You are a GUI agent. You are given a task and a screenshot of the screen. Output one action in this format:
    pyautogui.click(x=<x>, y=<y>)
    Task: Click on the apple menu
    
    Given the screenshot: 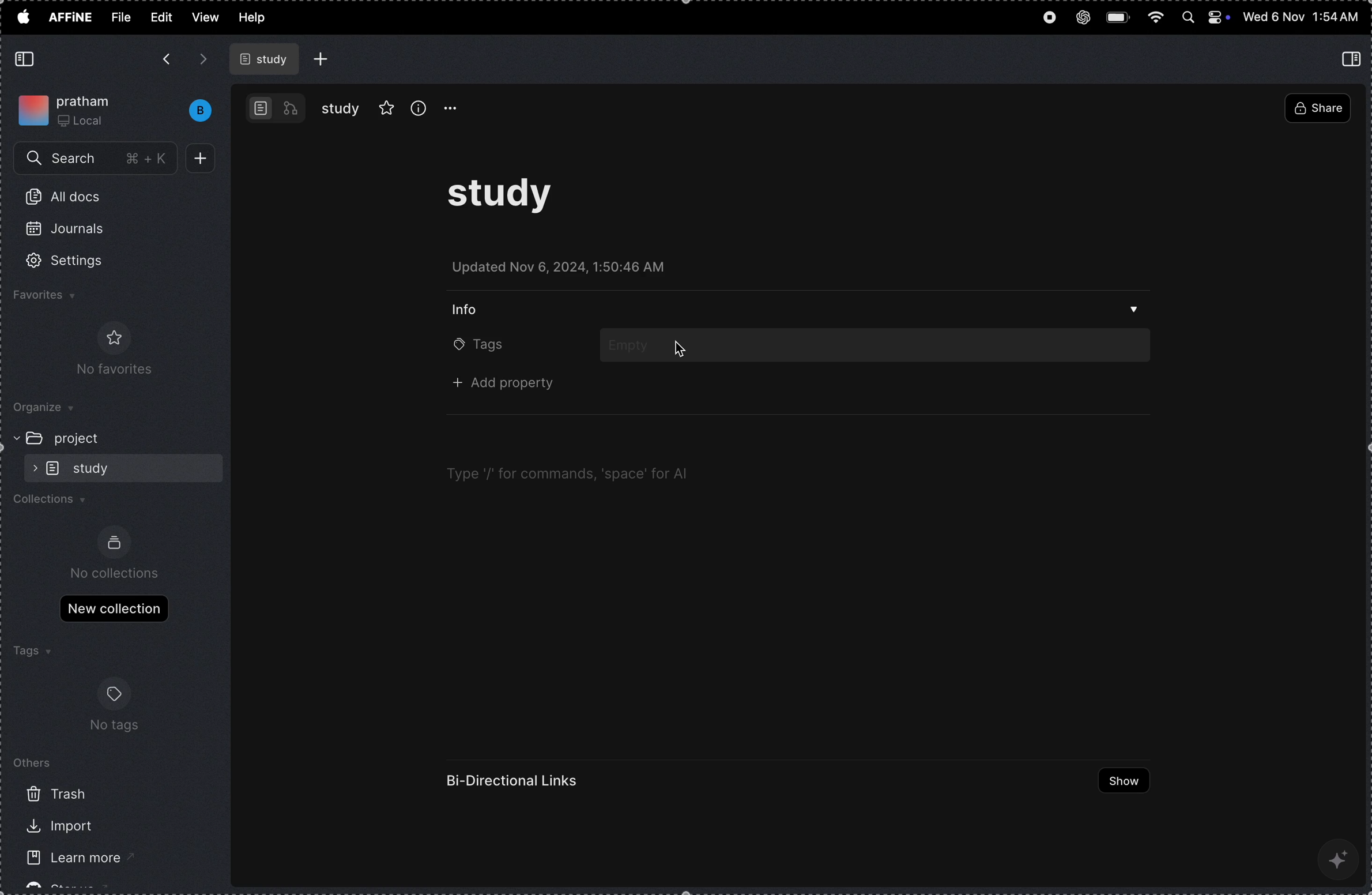 What is the action you would take?
    pyautogui.click(x=22, y=16)
    